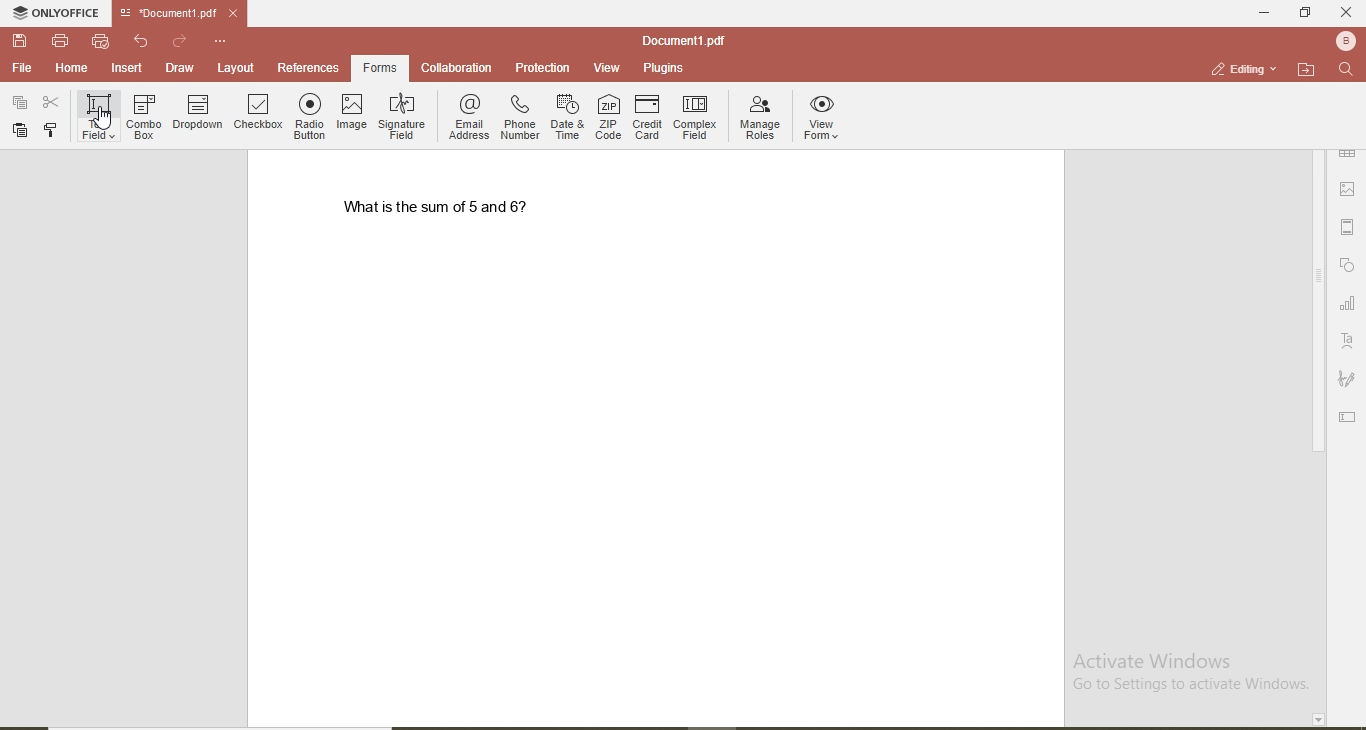  Describe the element at coordinates (309, 115) in the screenshot. I see `radio button` at that location.